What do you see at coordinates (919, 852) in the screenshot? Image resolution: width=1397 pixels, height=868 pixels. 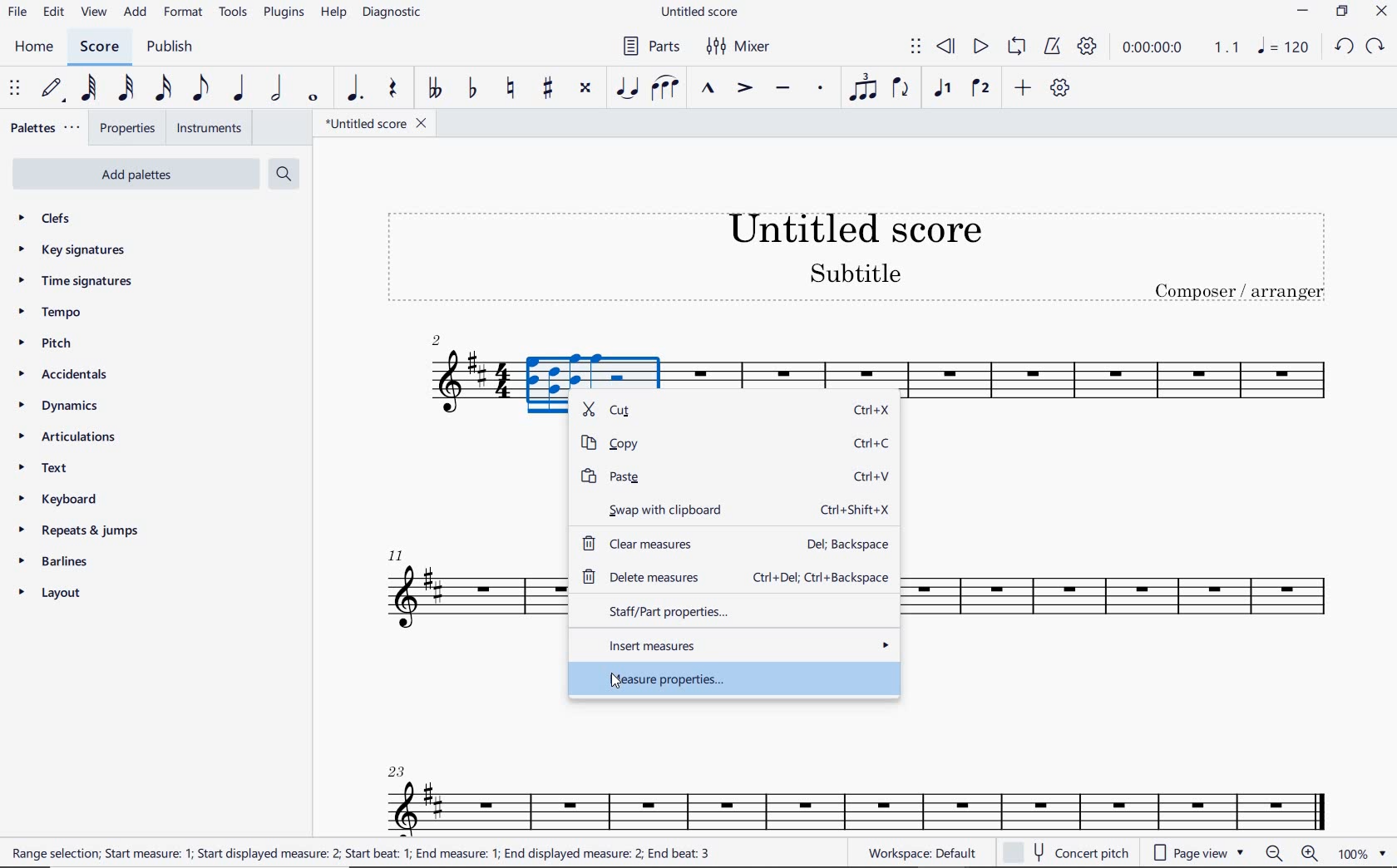 I see `WORKSPACE: DEFAULT` at bounding box center [919, 852].